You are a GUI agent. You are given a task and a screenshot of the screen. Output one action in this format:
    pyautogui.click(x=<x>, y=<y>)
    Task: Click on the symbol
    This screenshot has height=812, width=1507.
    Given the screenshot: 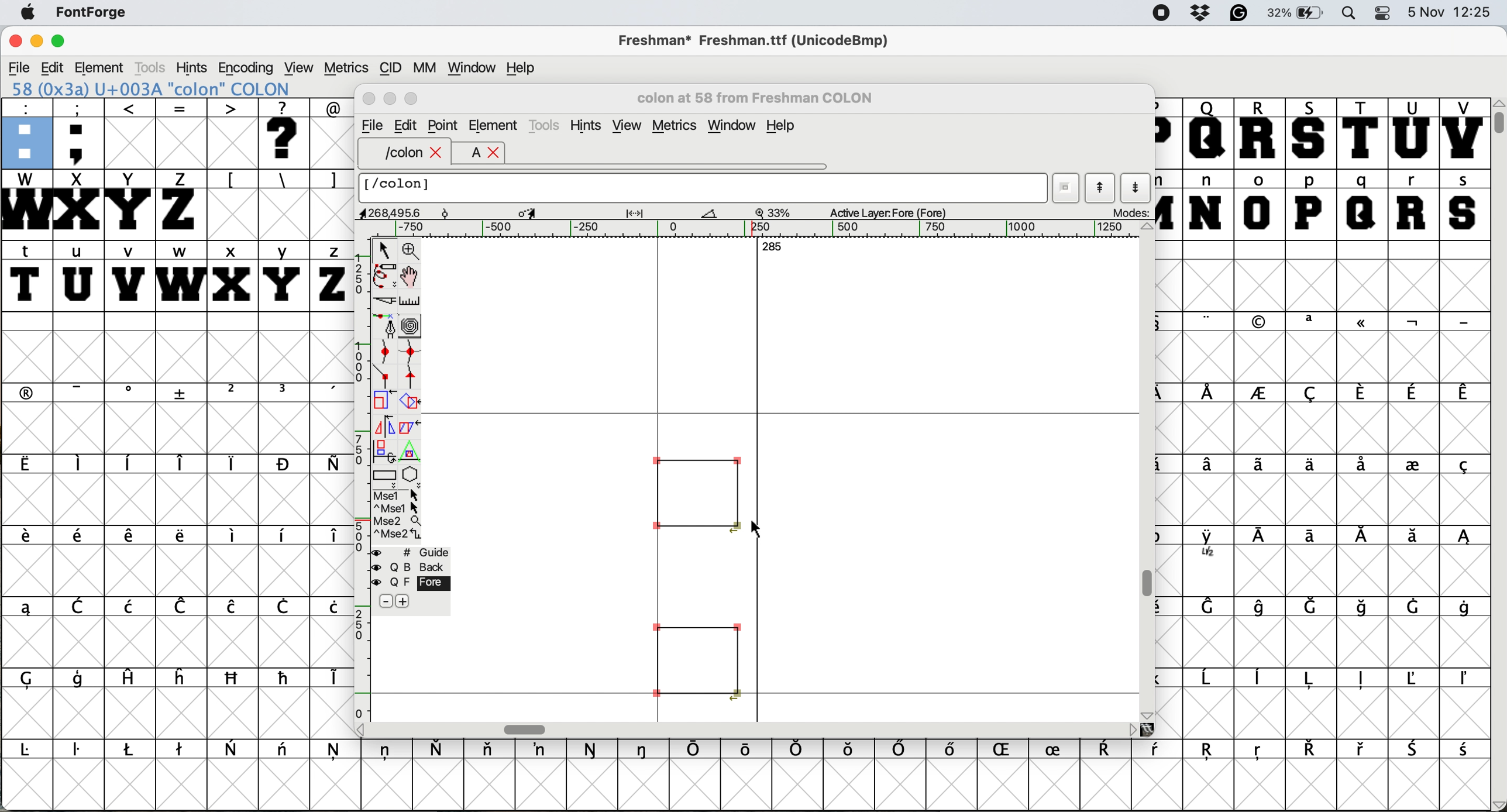 What is the action you would take?
    pyautogui.click(x=1462, y=322)
    